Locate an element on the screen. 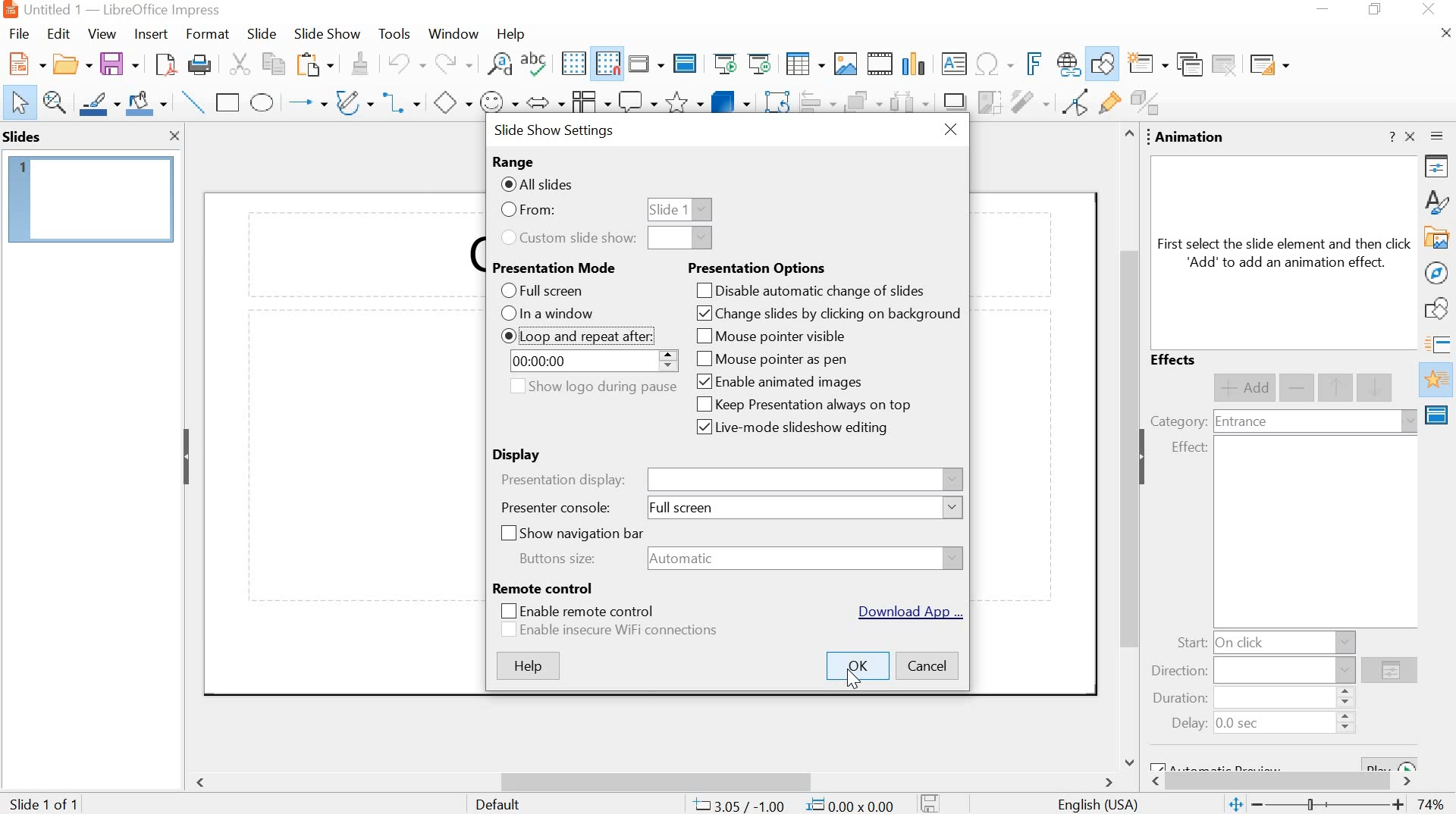 The image size is (1456, 814). show logo during pause is located at coordinates (591, 387).